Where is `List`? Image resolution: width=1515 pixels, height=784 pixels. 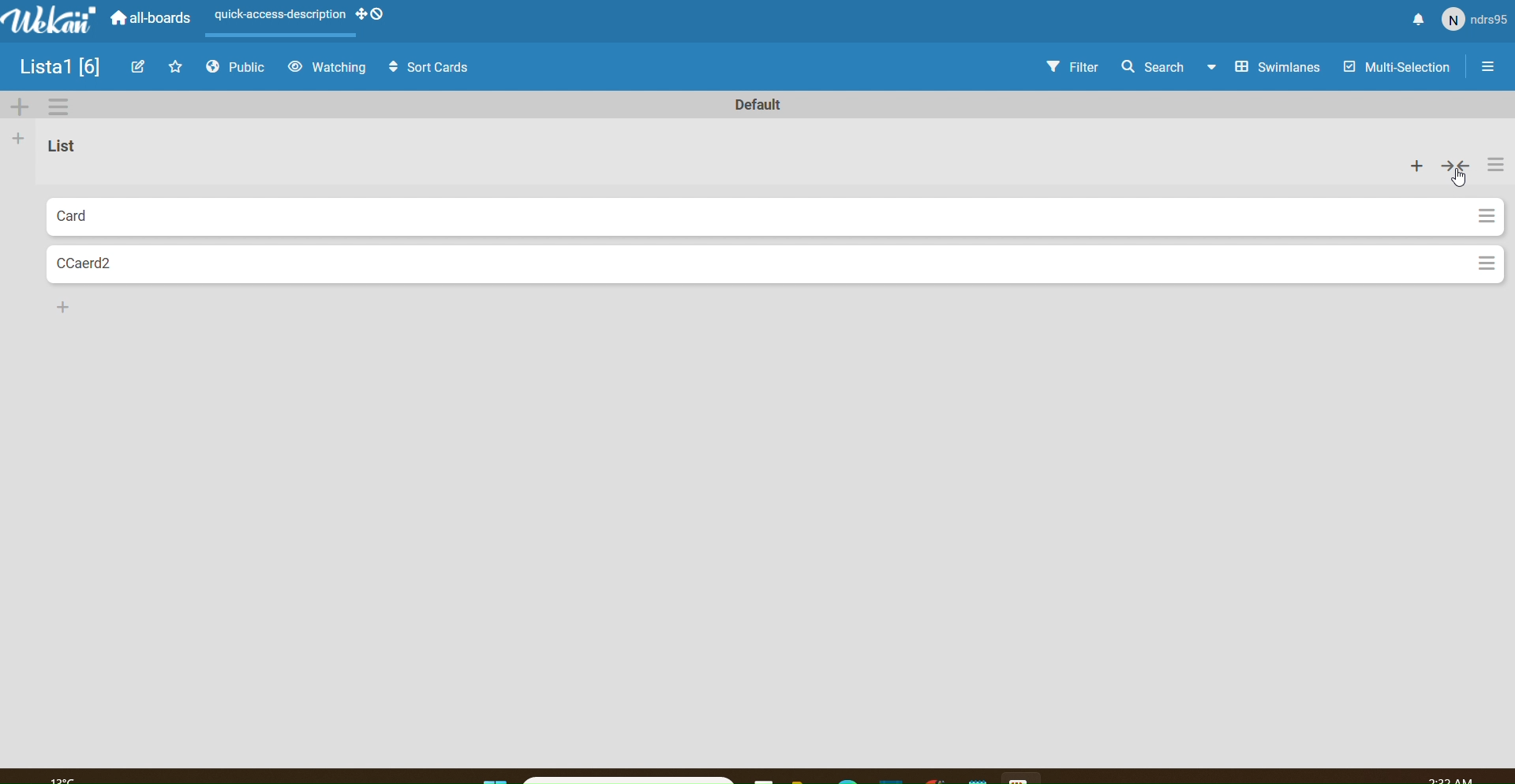 List is located at coordinates (73, 155).